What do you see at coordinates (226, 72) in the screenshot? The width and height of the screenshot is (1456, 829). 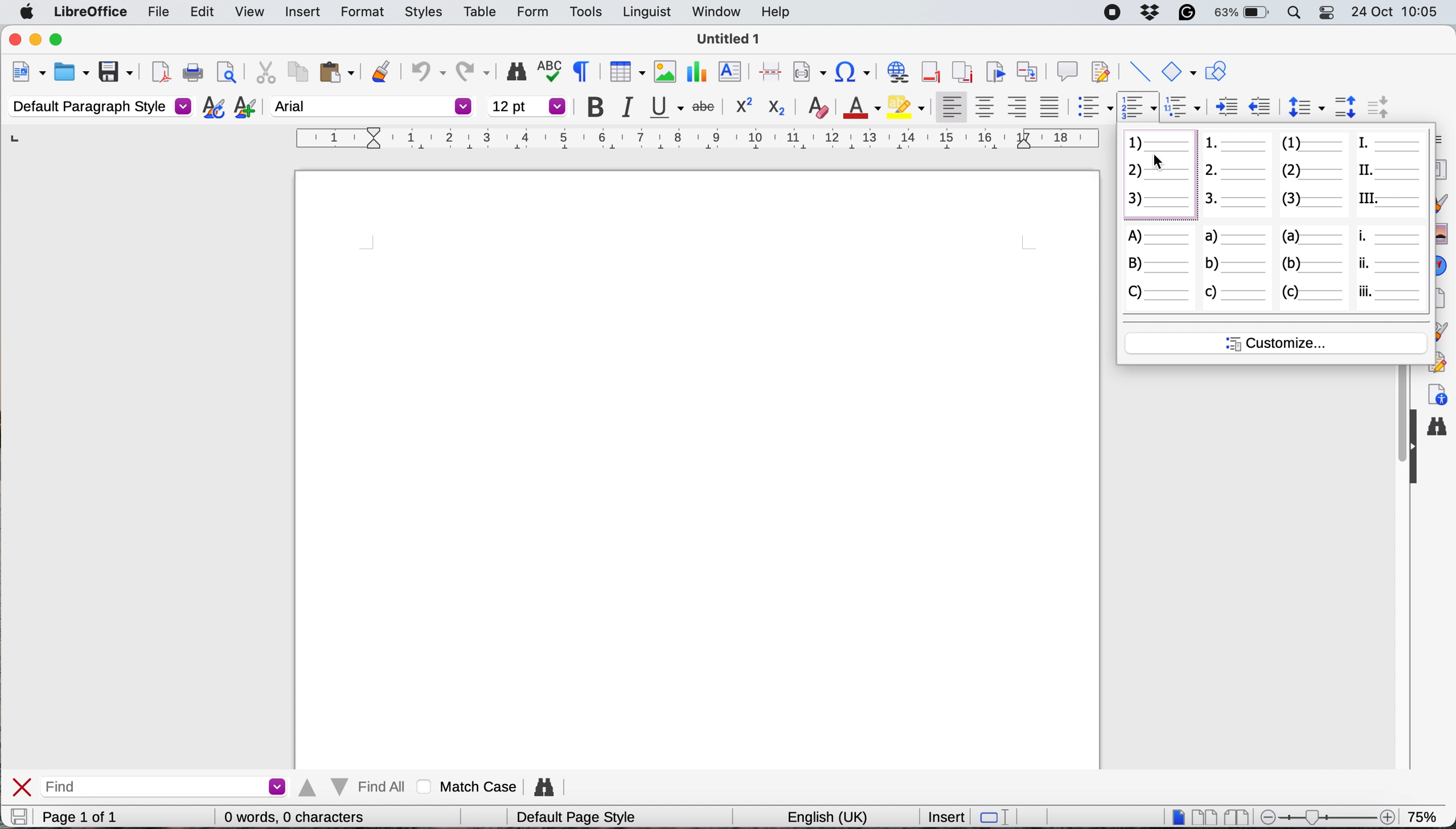 I see `print preview` at bounding box center [226, 72].